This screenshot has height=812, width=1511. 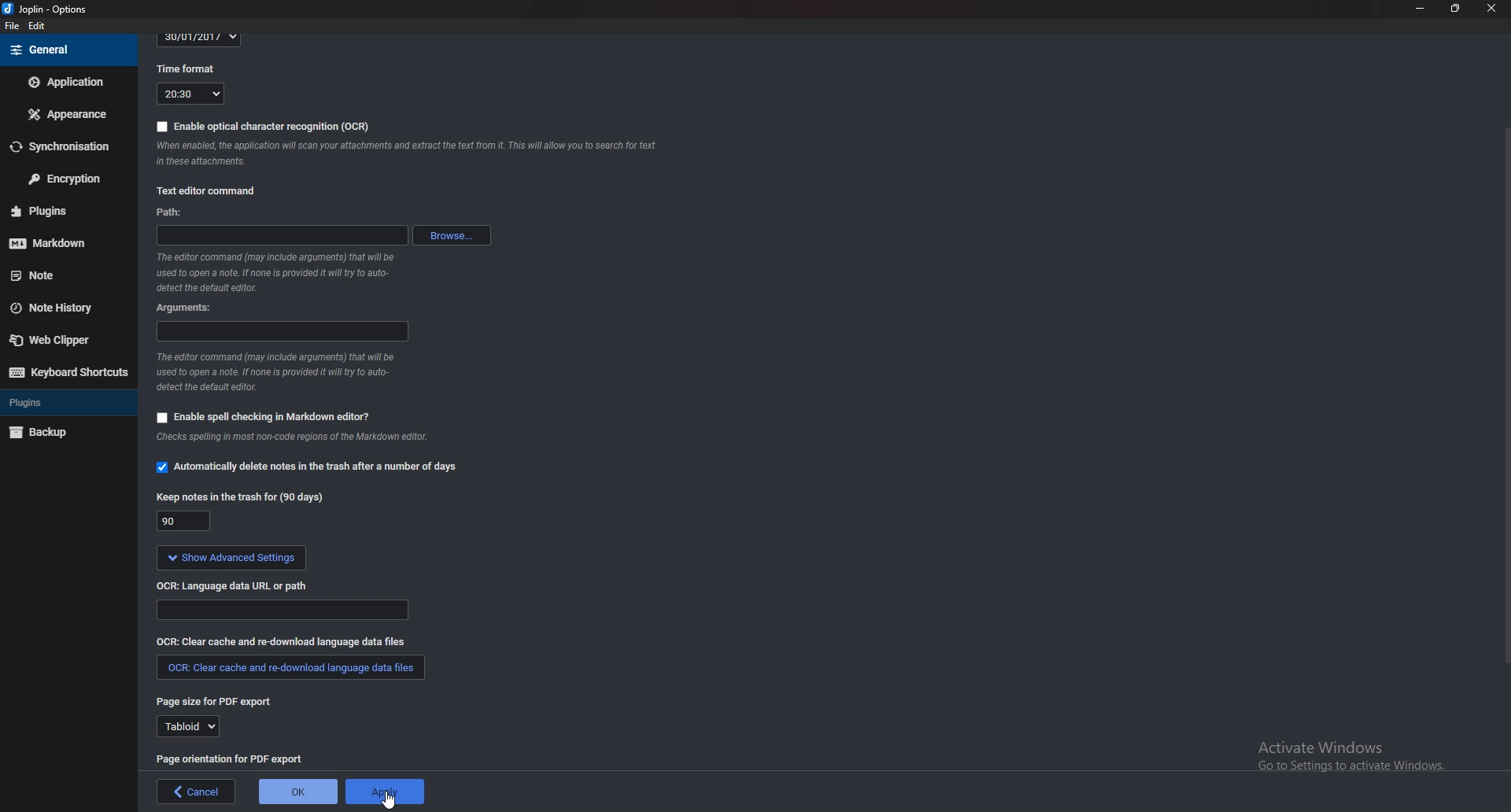 I want to click on Resize, so click(x=1456, y=8).